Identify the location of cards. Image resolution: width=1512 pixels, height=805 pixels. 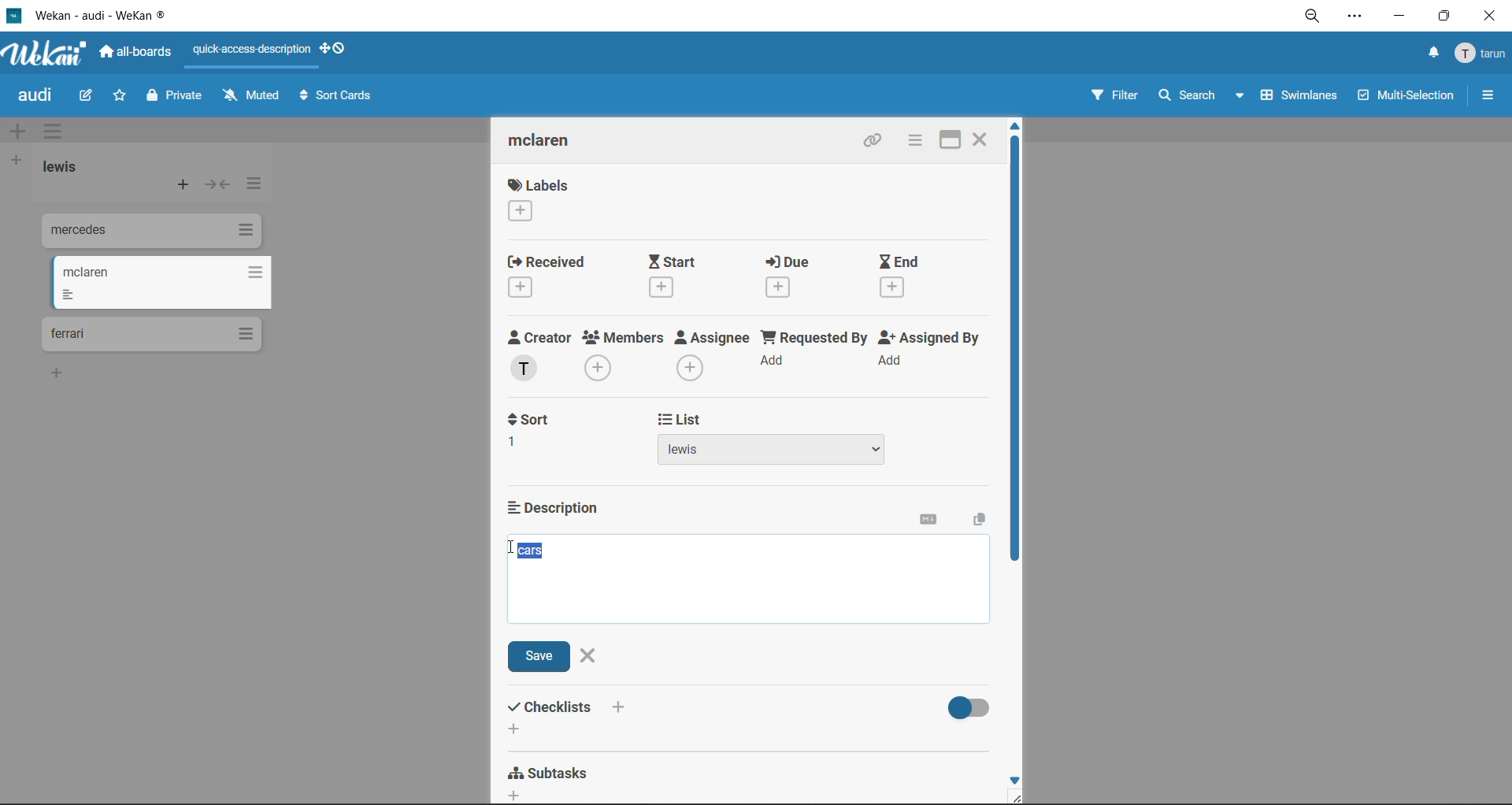
(160, 283).